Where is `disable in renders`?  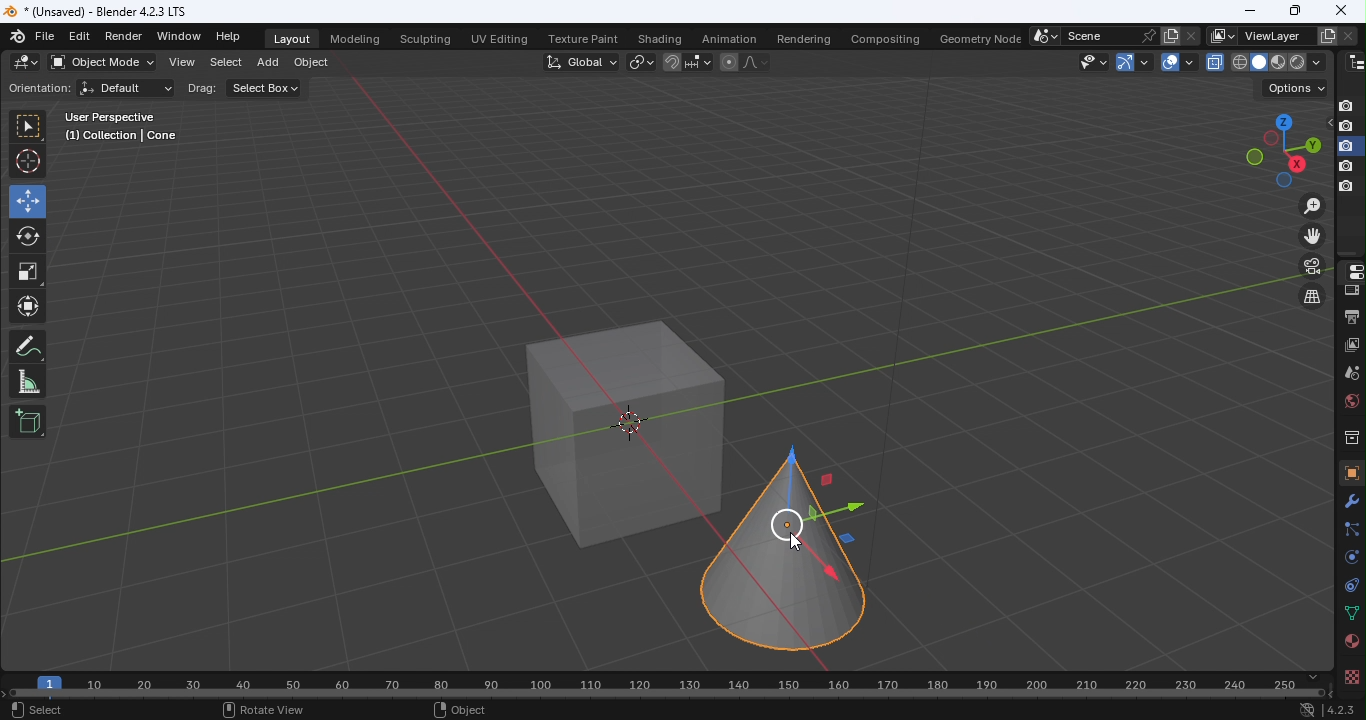 disable in renders is located at coordinates (1346, 146).